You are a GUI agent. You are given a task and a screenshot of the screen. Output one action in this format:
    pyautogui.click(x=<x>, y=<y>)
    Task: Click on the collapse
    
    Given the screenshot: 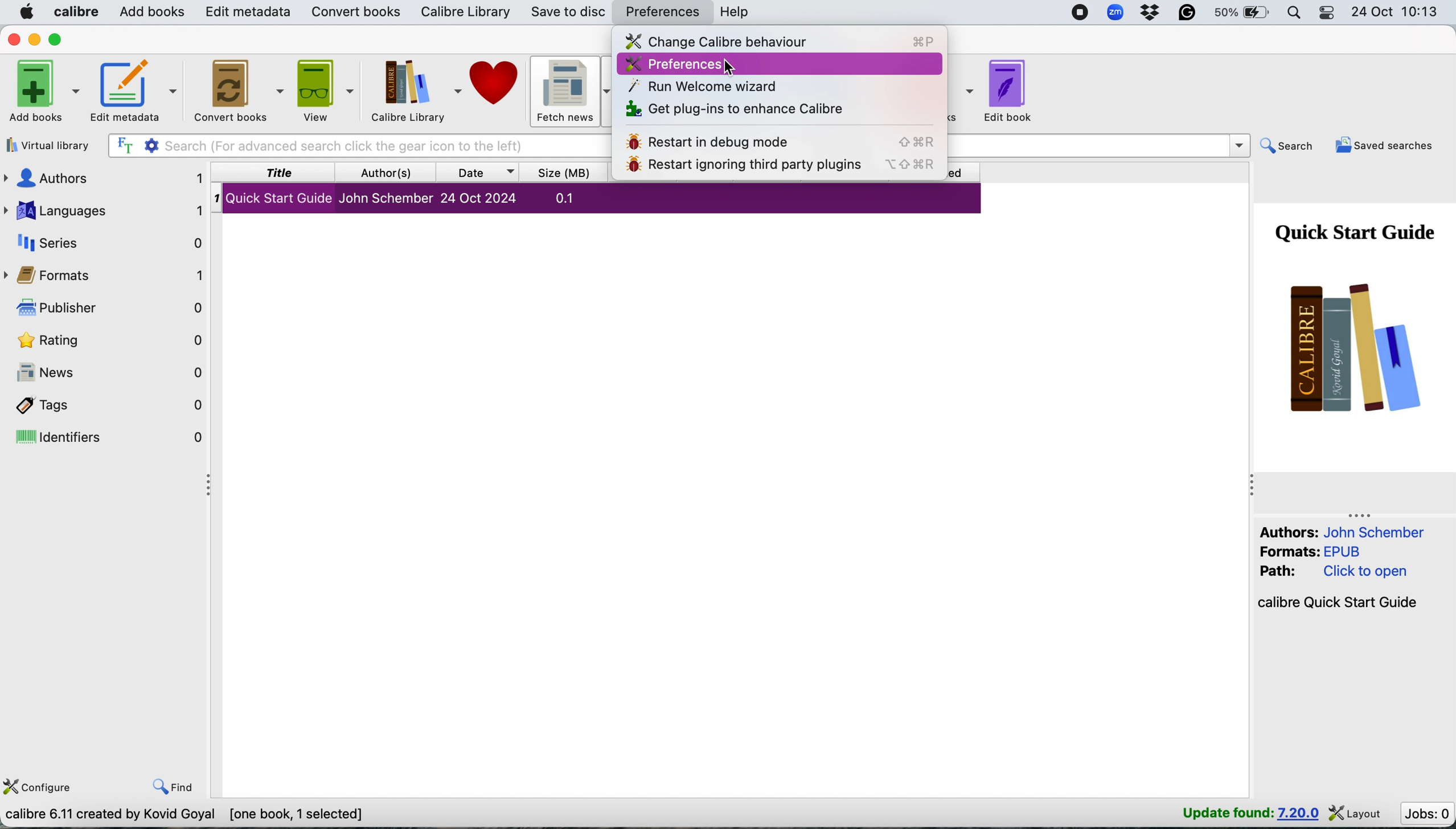 What is the action you would take?
    pyautogui.click(x=206, y=487)
    